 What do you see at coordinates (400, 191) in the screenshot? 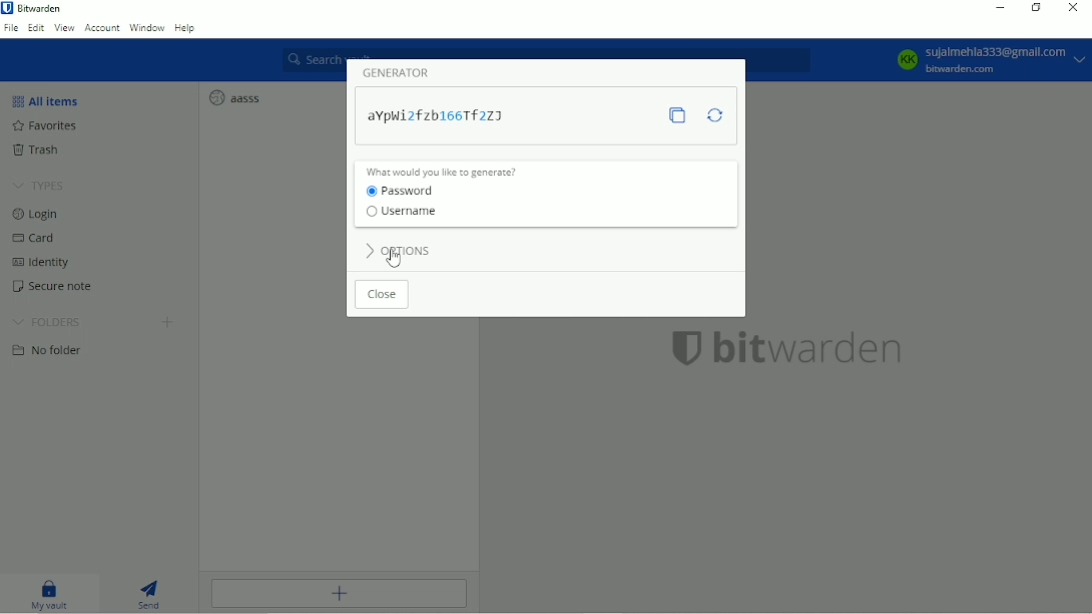
I see `Password` at bounding box center [400, 191].